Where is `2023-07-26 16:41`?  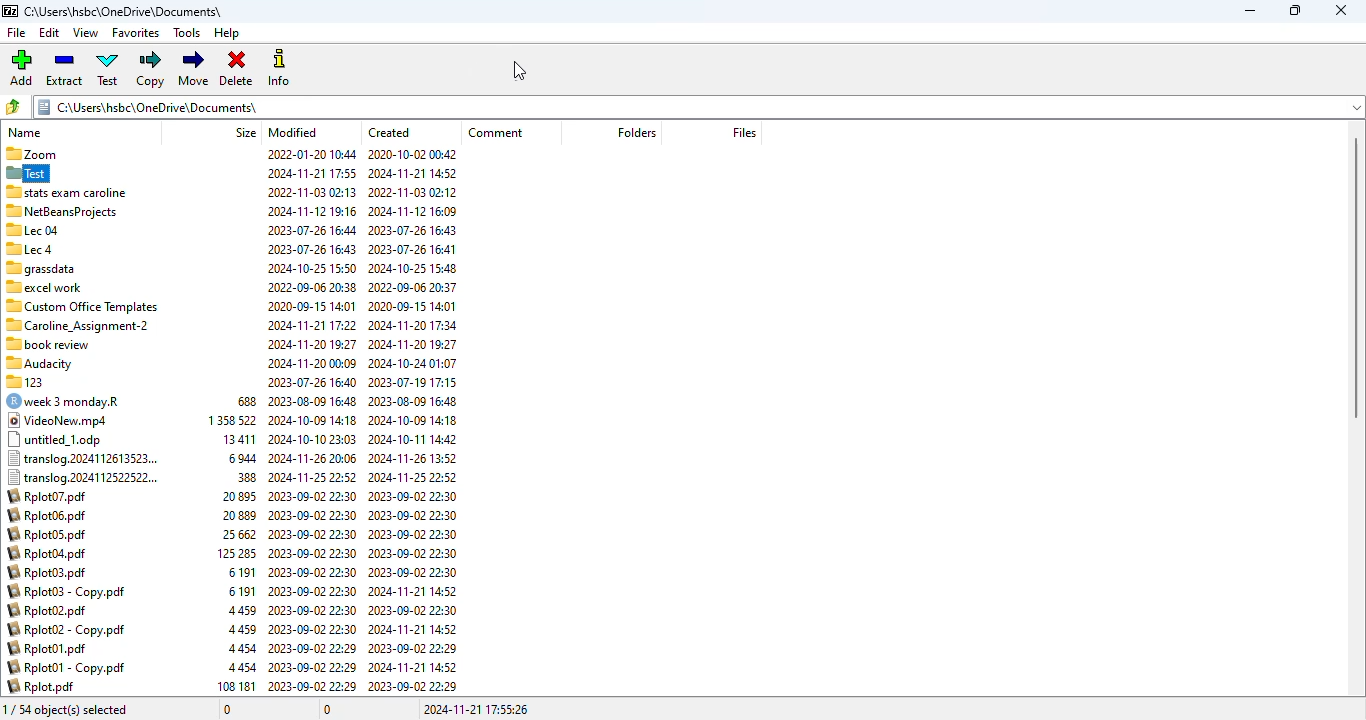
2023-07-26 16:41 is located at coordinates (413, 250).